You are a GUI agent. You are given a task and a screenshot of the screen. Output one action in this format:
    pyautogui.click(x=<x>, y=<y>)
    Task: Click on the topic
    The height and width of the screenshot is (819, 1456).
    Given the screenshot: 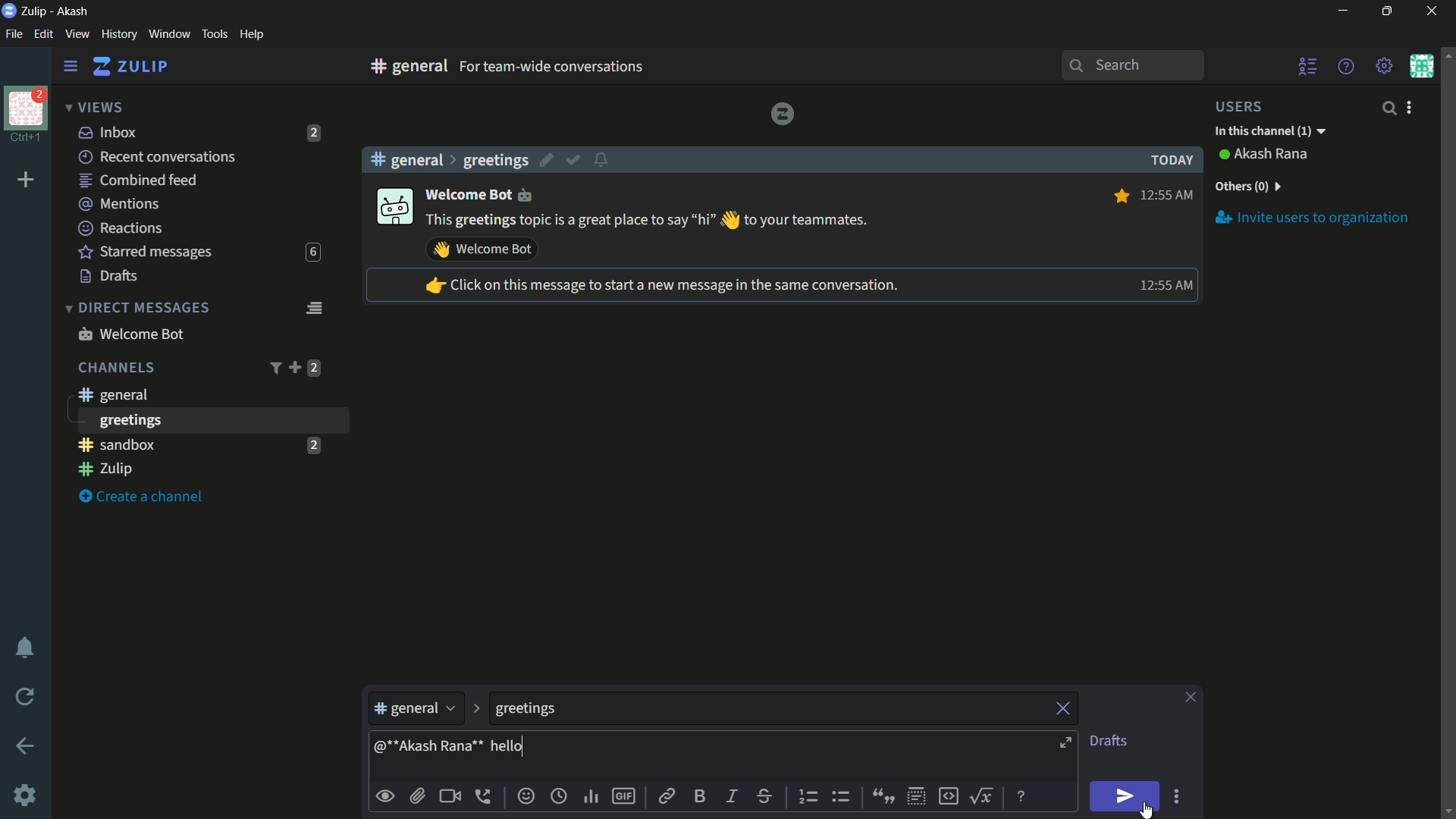 What is the action you would take?
    pyautogui.click(x=768, y=709)
    